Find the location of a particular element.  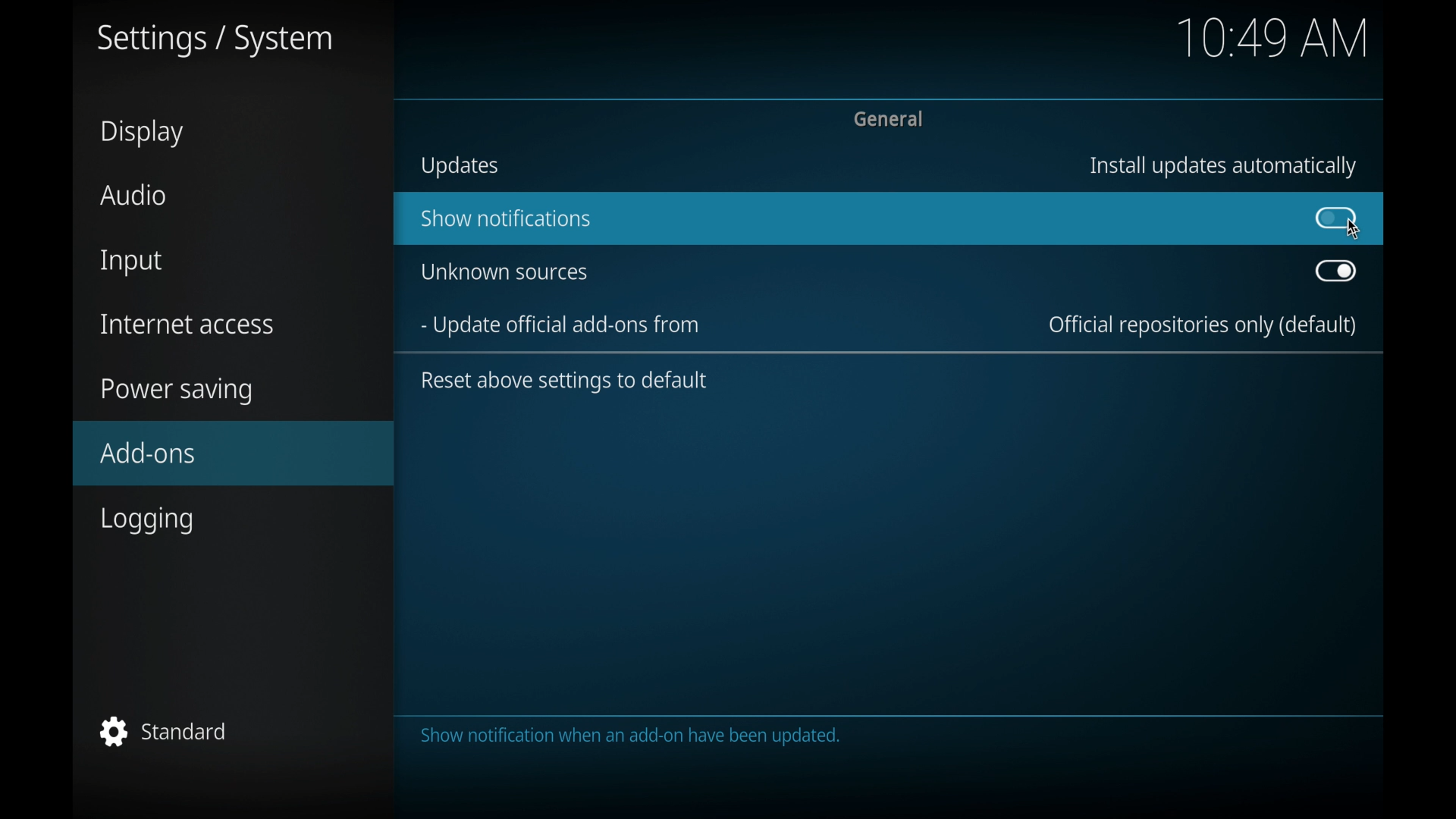

cursor is located at coordinates (1351, 229).